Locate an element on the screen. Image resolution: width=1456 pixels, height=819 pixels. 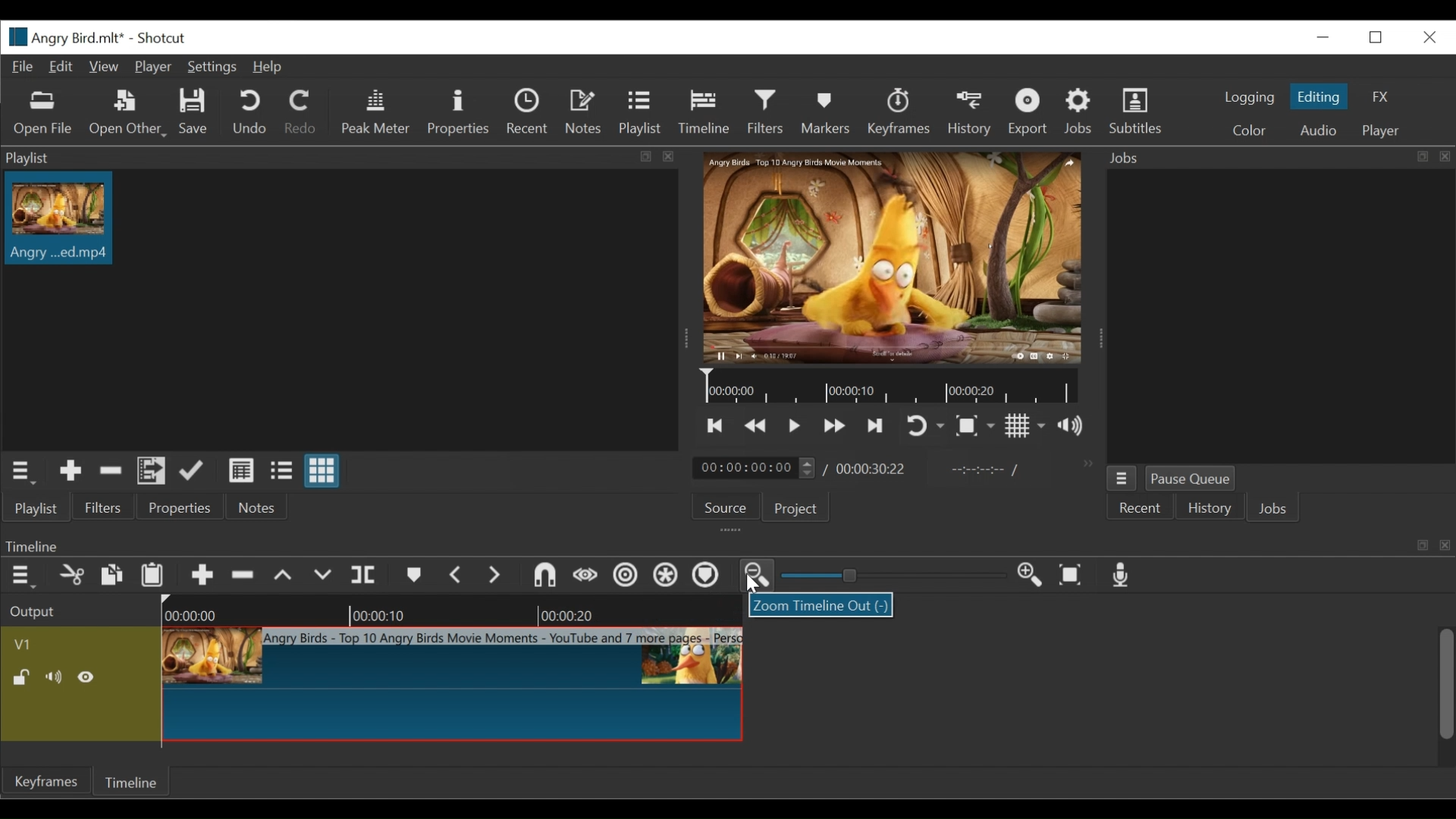
previous is located at coordinates (455, 575).